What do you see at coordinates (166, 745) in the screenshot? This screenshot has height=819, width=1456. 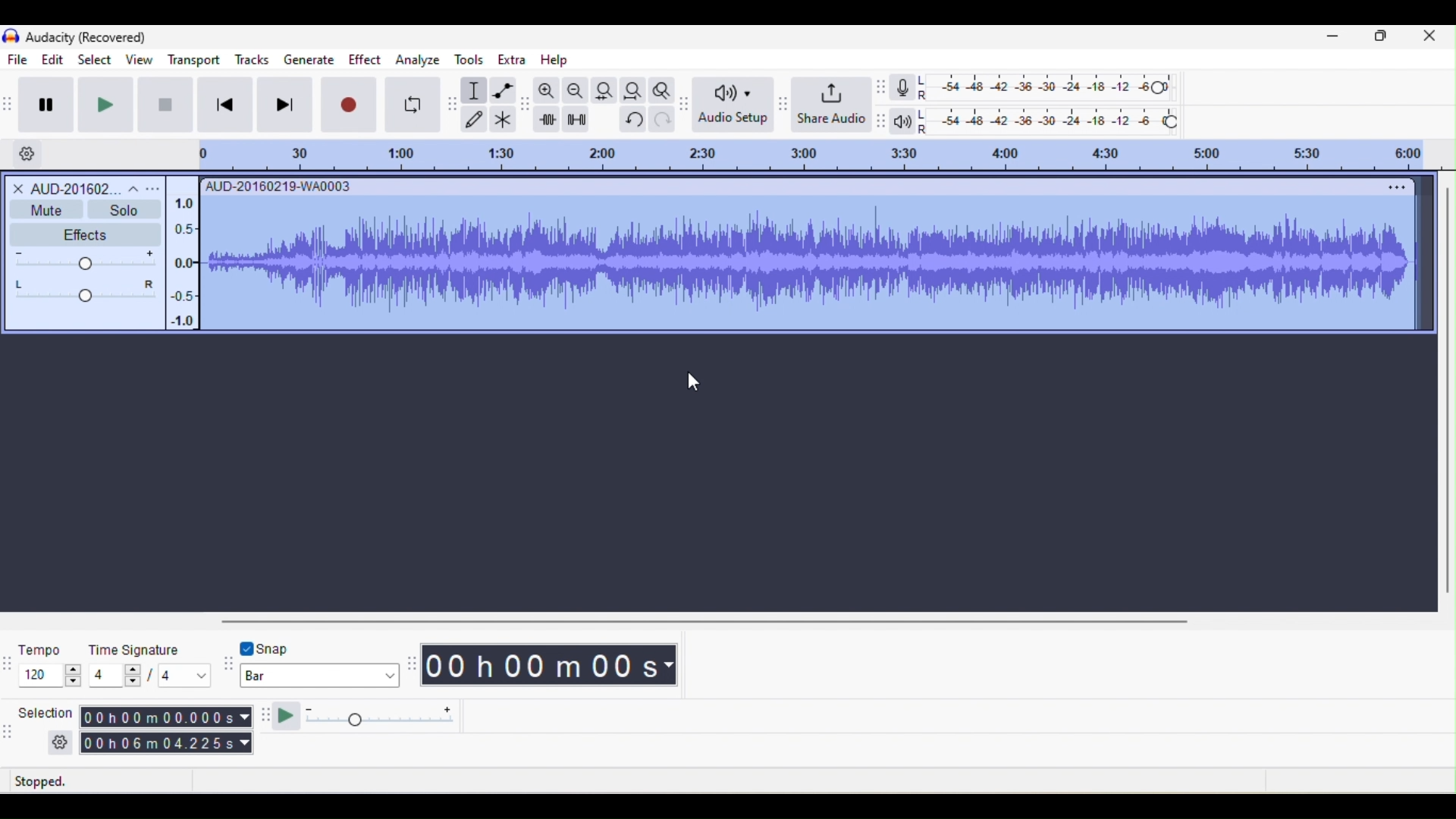 I see `00 h 06 m 04.225 s` at bounding box center [166, 745].